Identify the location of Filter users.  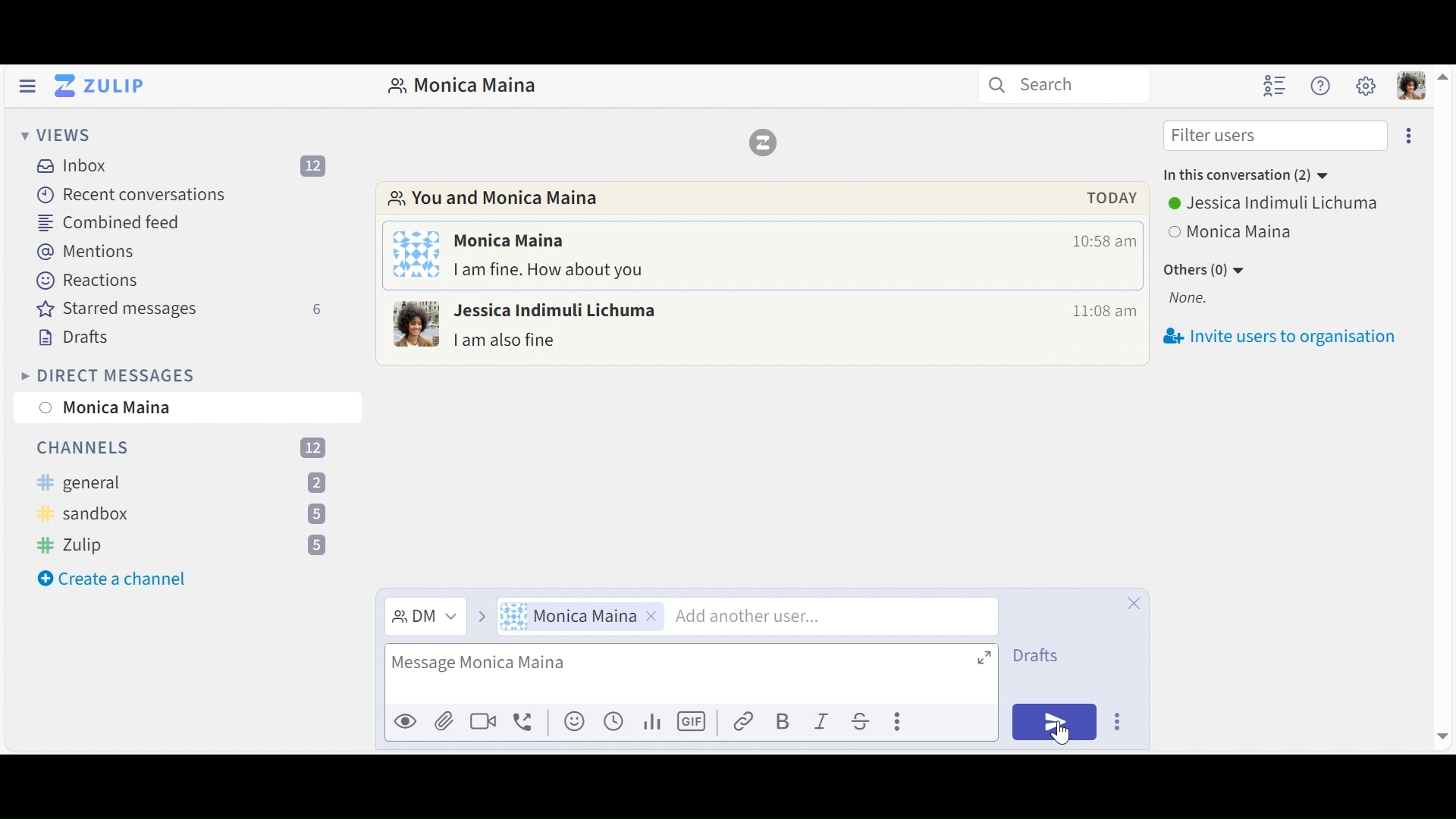
(1276, 136).